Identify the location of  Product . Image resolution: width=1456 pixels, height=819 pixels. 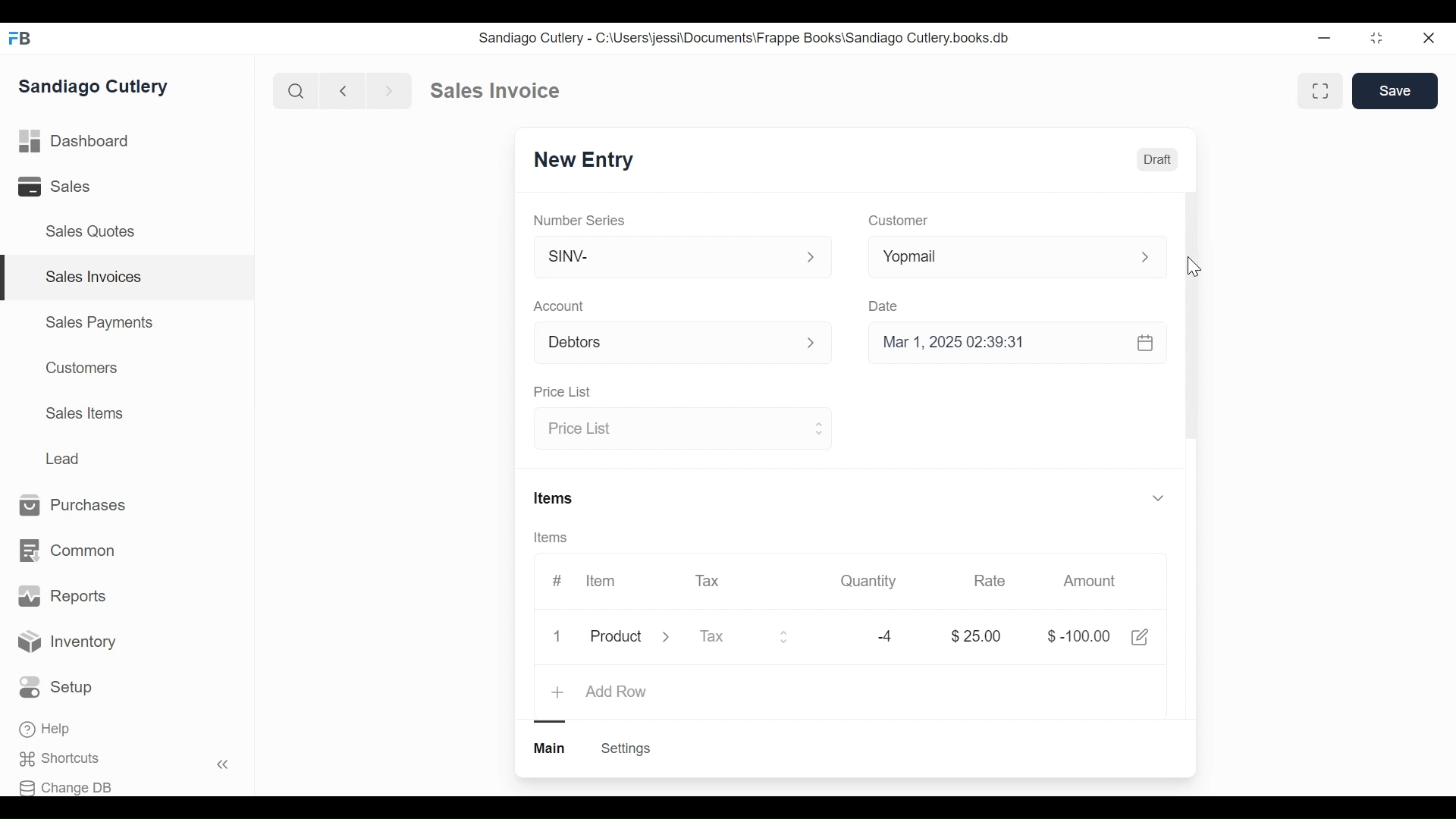
(628, 638).